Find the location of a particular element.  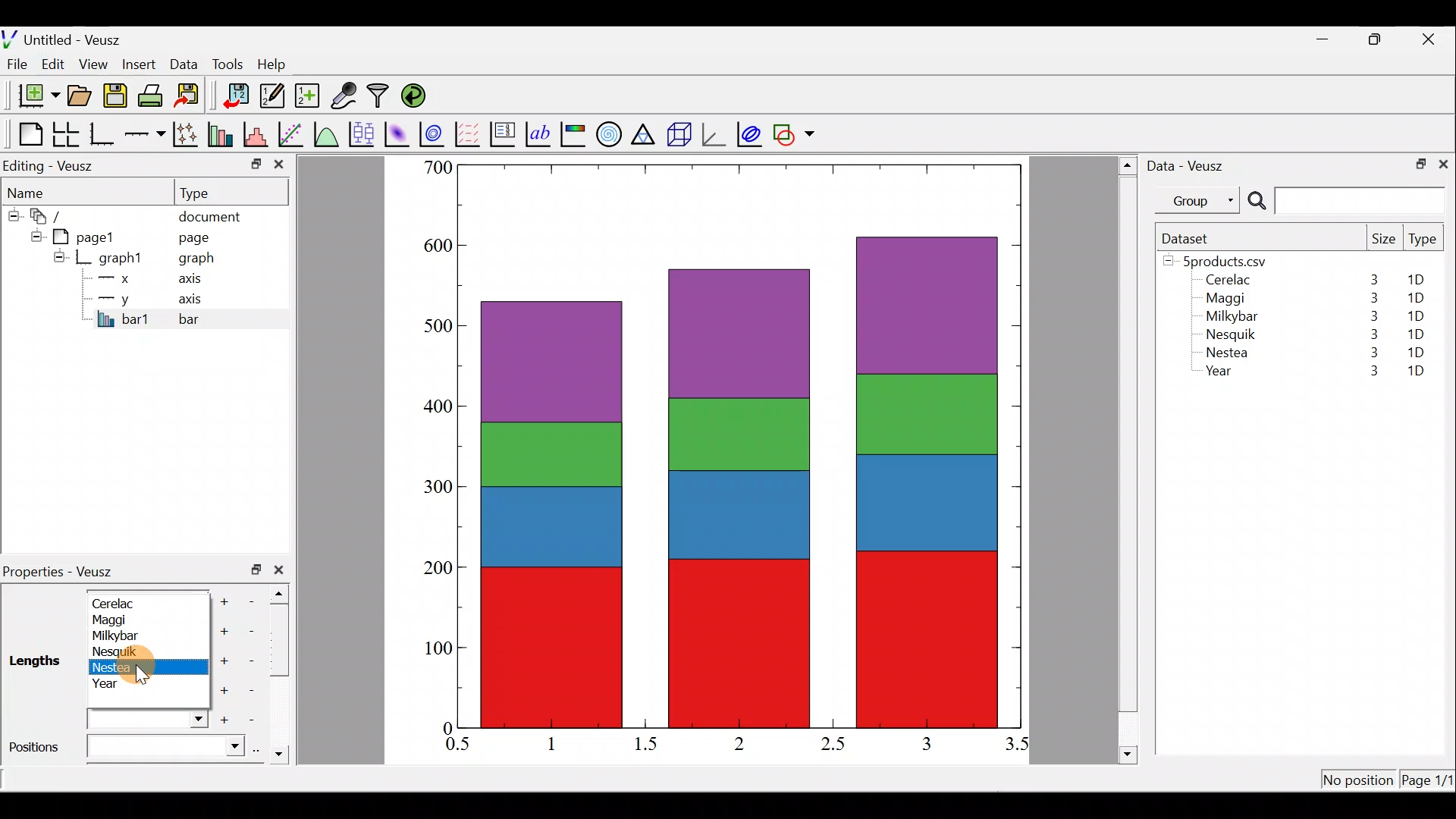

hide is located at coordinates (33, 234).